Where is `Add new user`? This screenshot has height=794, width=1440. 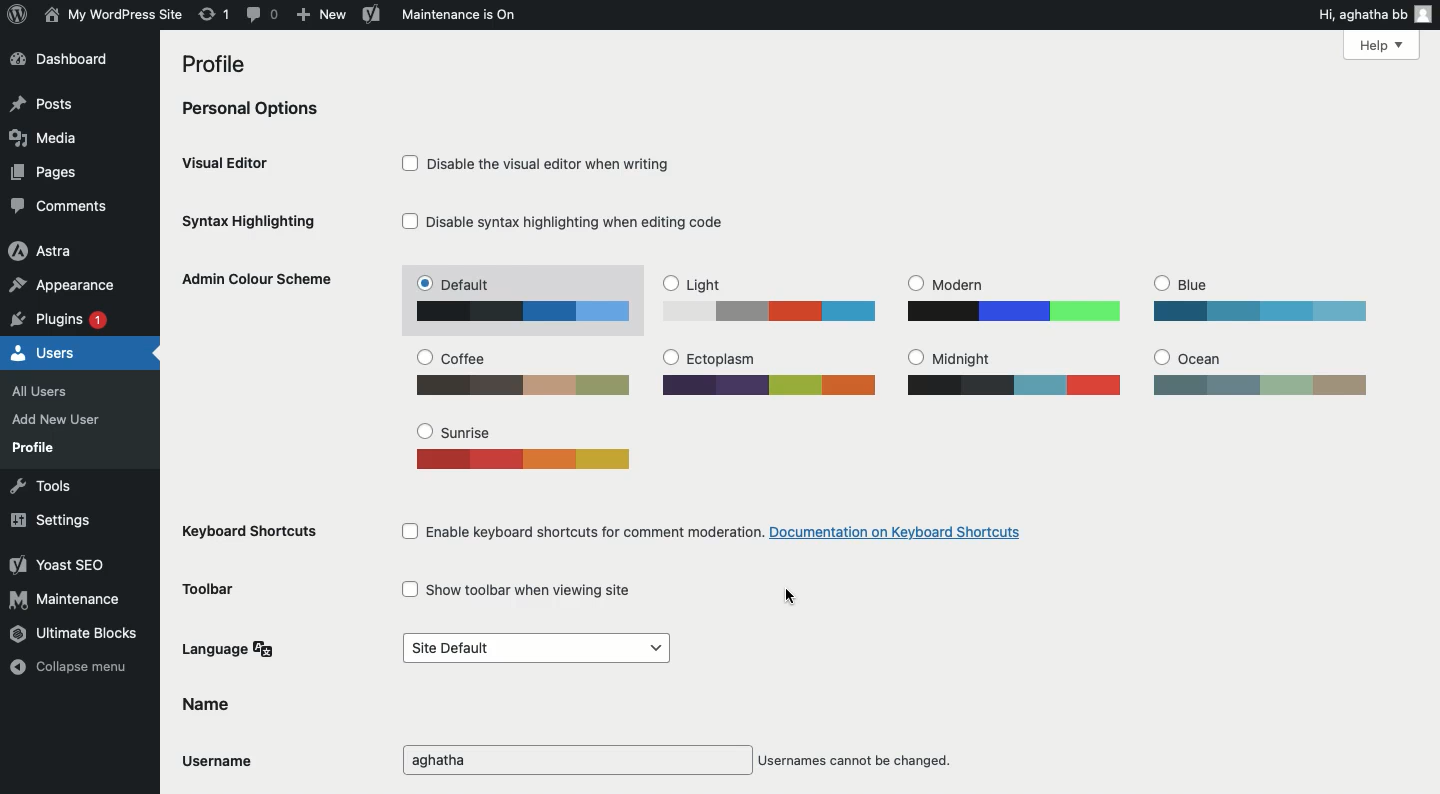
Add new user is located at coordinates (61, 420).